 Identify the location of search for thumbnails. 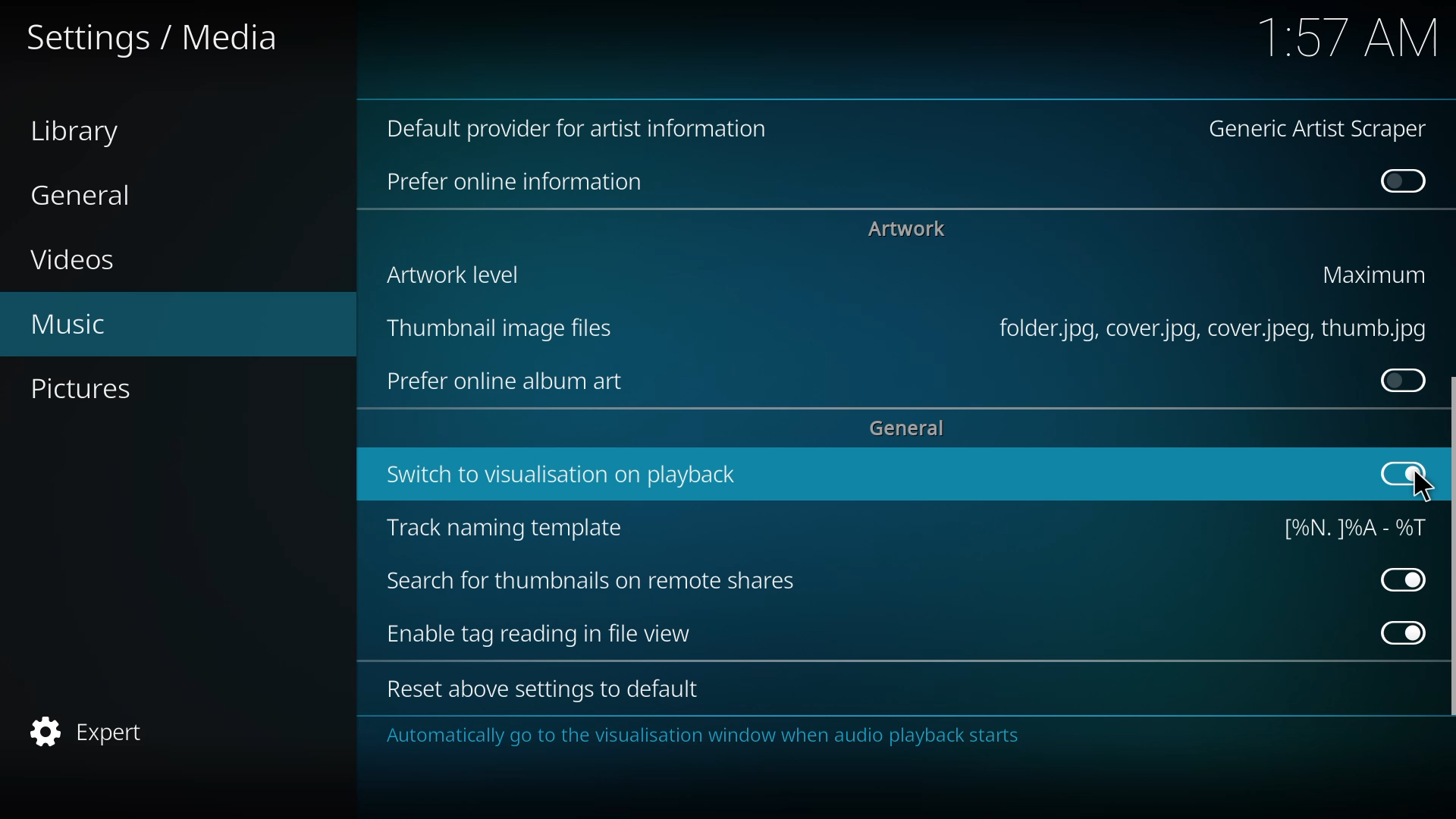
(589, 582).